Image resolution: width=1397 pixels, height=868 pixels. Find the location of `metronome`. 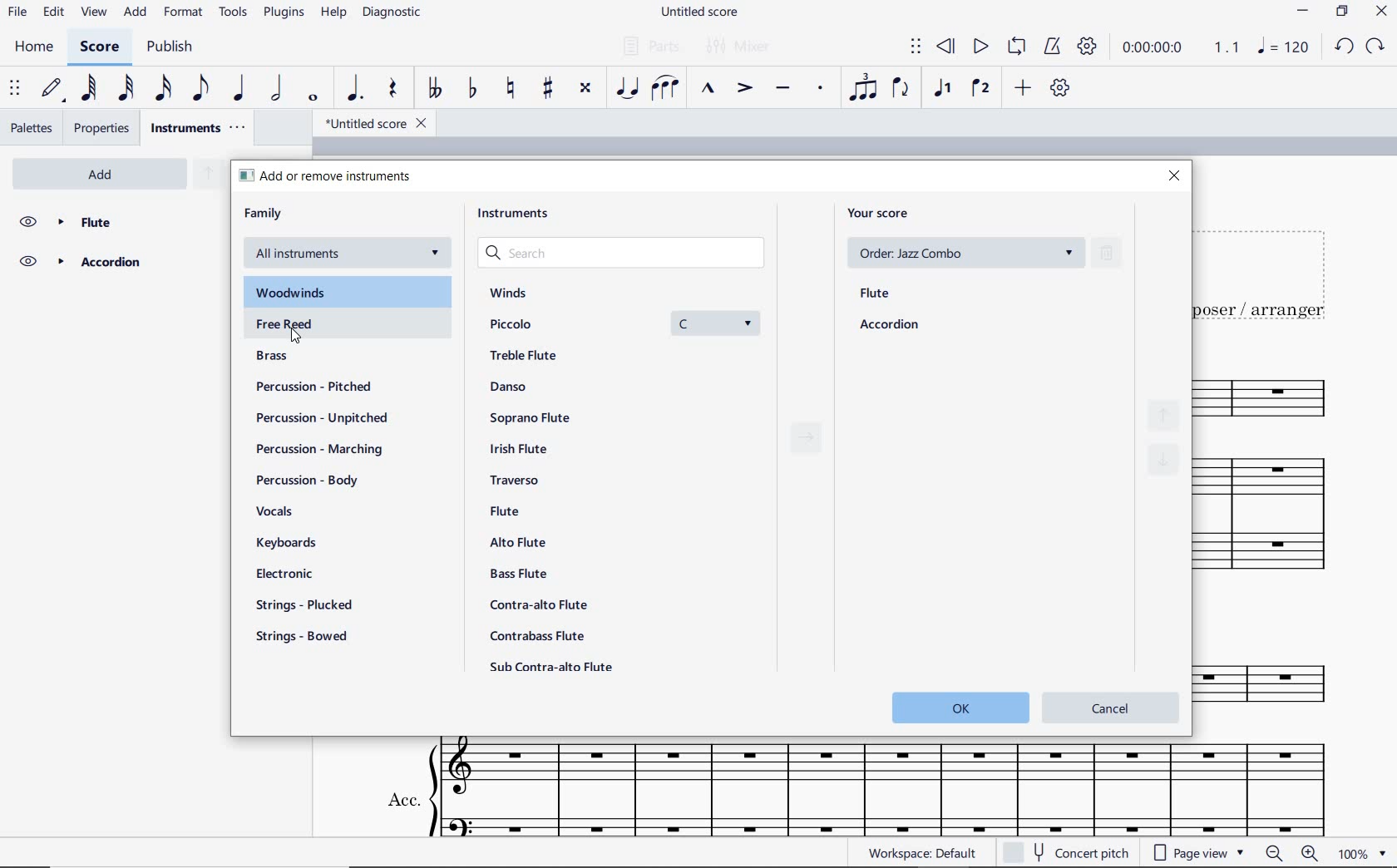

metronome is located at coordinates (1051, 47).